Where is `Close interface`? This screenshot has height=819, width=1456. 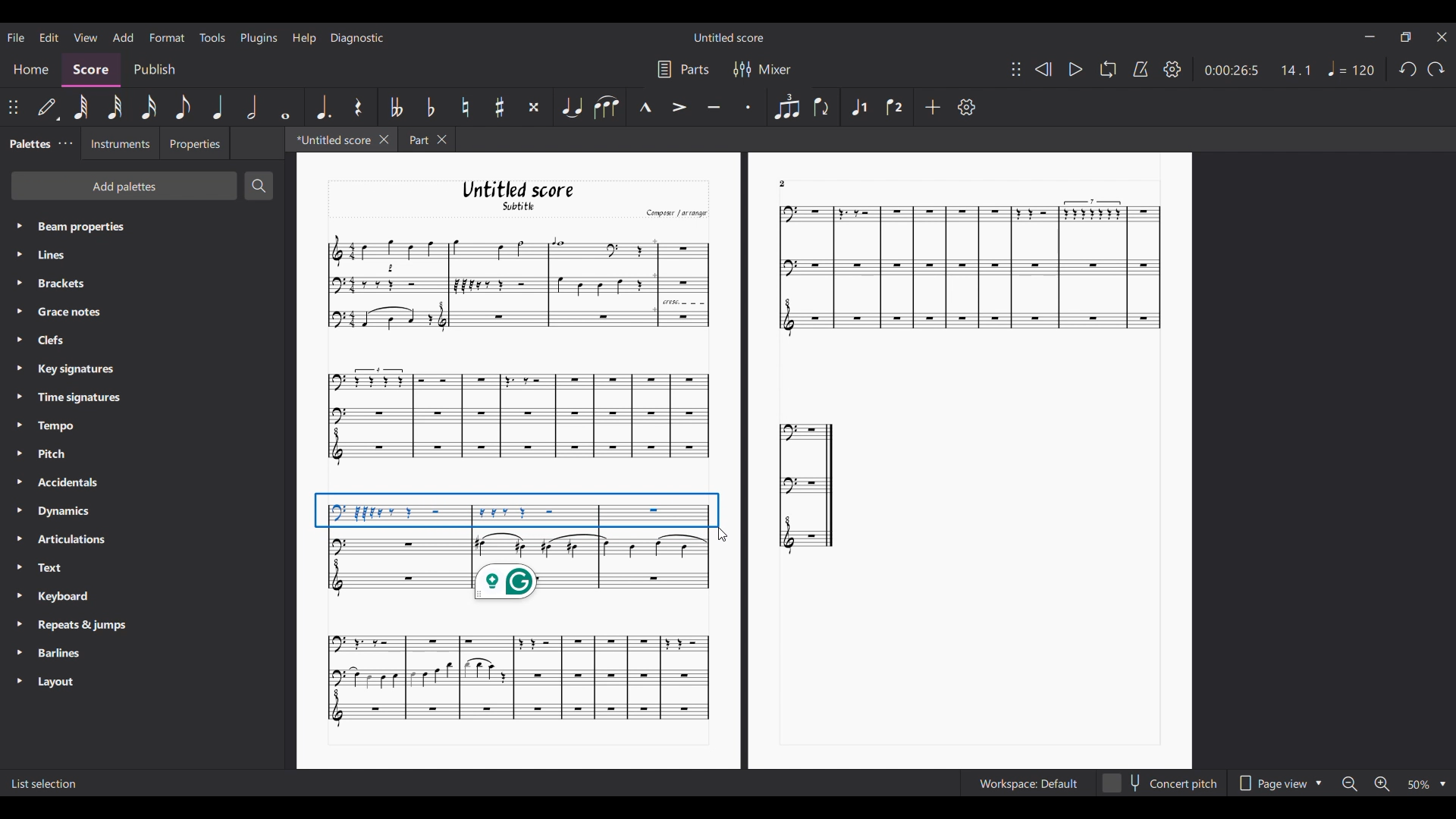 Close interface is located at coordinates (1442, 37).